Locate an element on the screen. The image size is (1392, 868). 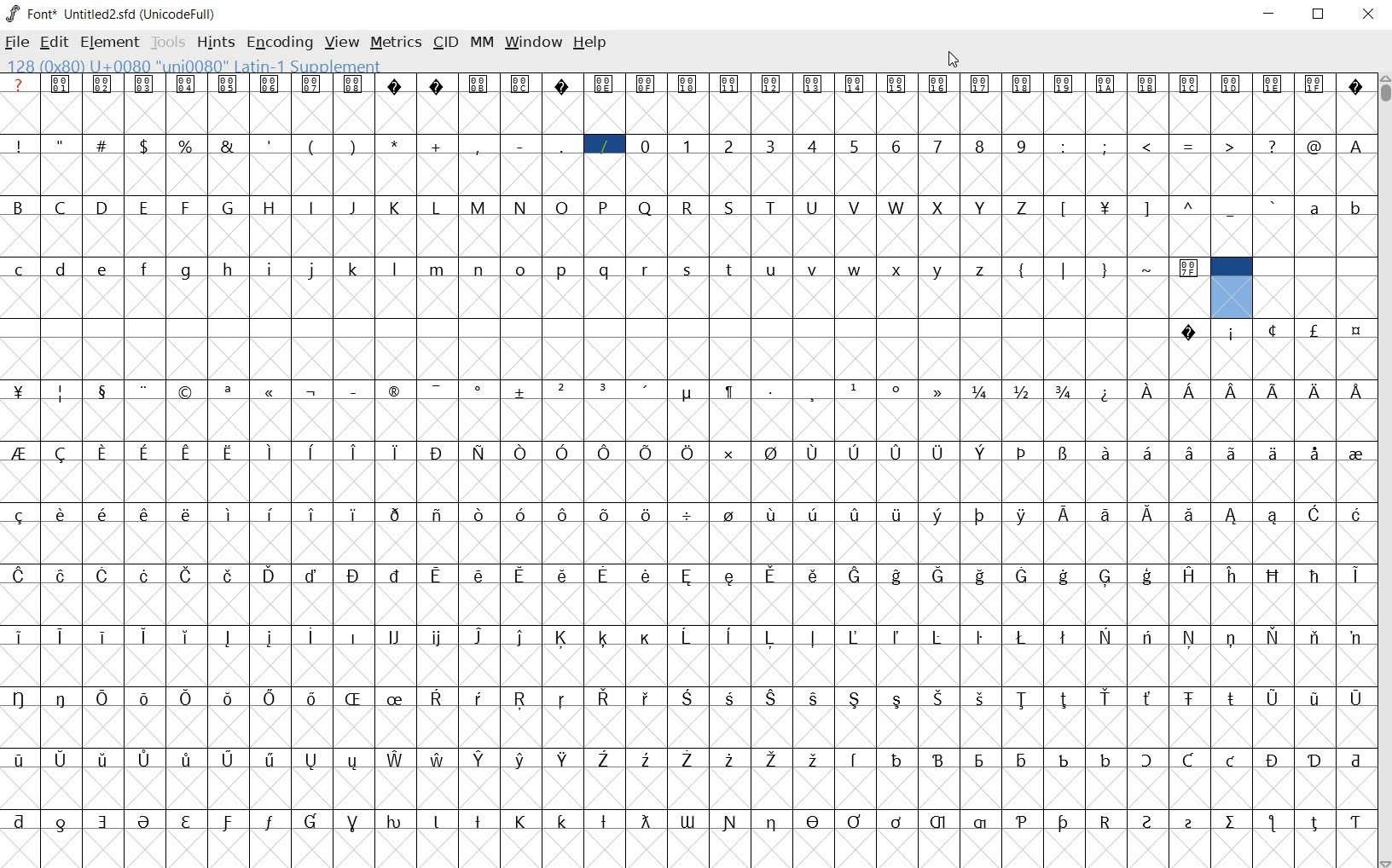
Symbol is located at coordinates (1146, 637).